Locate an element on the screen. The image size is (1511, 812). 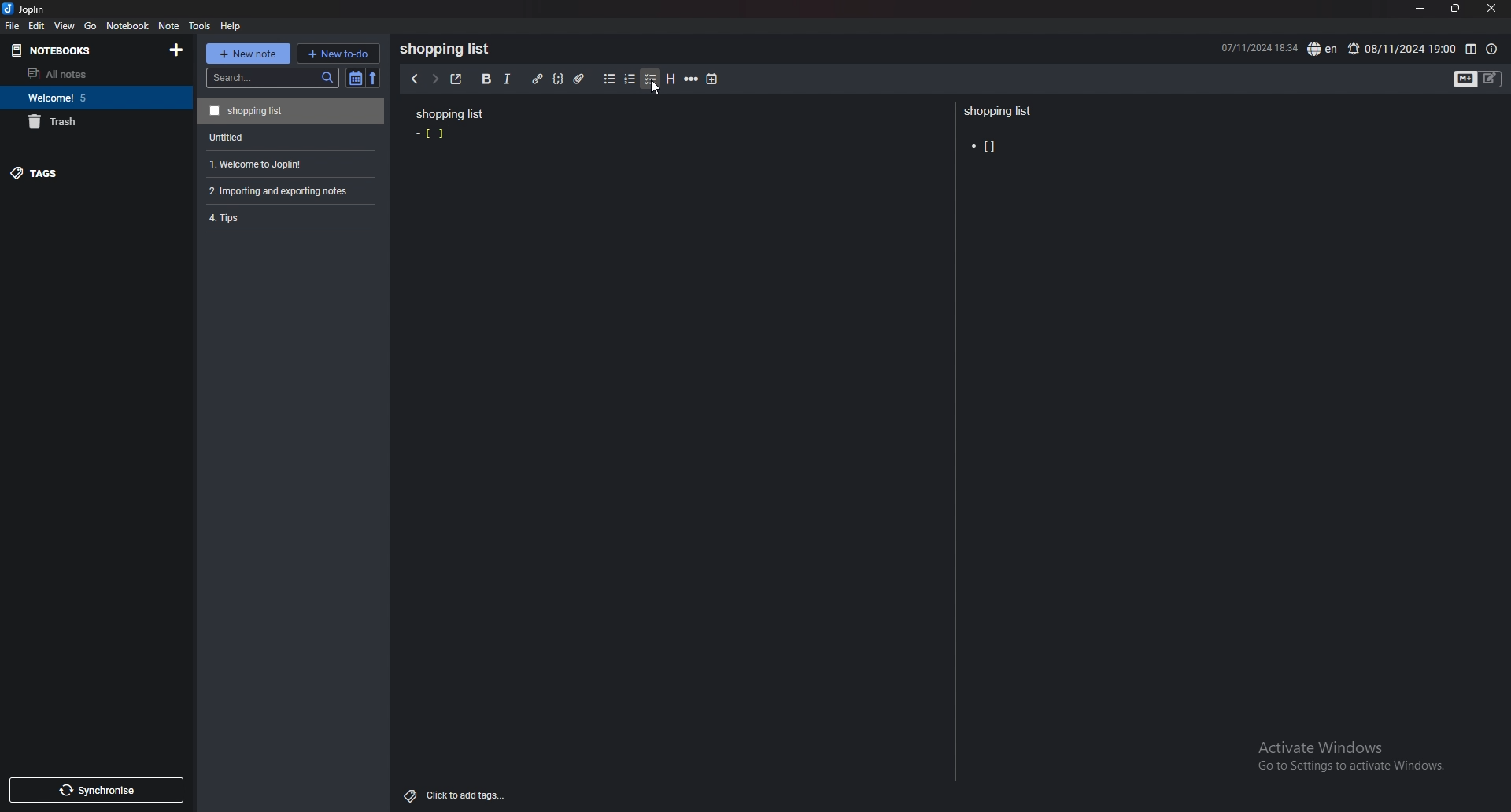
Shopping list is located at coordinates (449, 114).